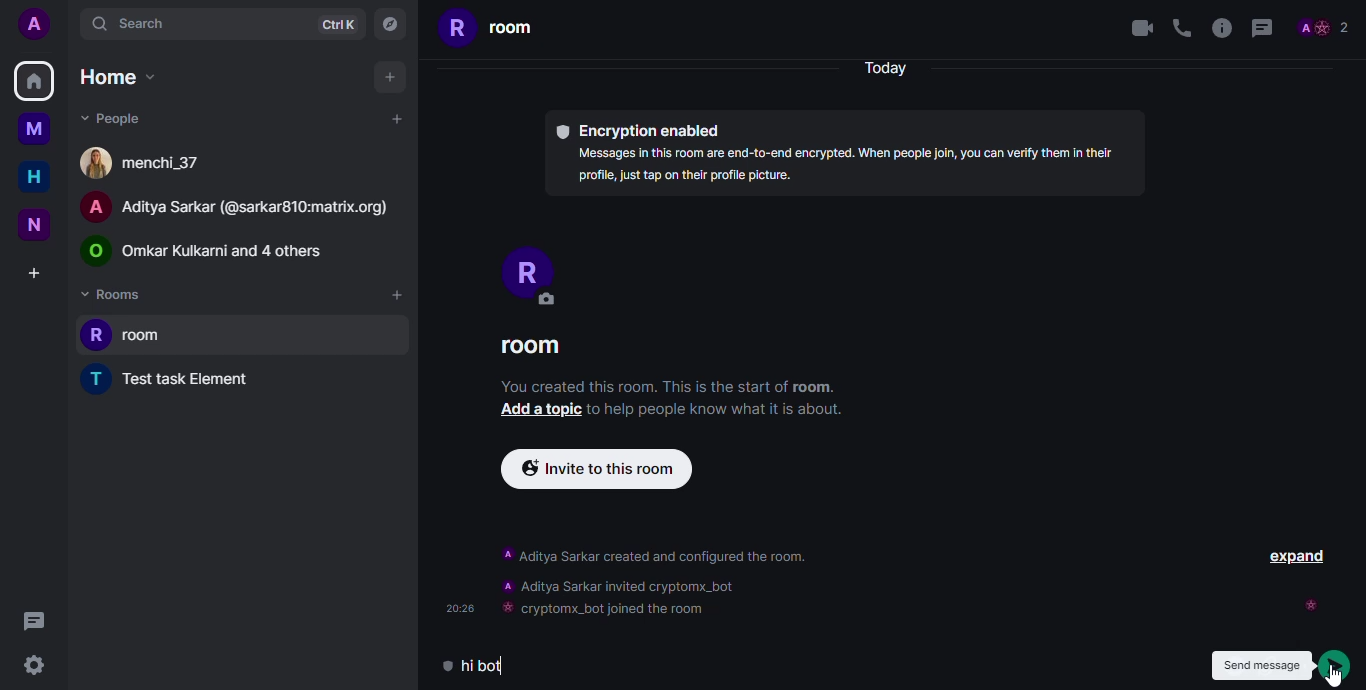 This screenshot has width=1366, height=690. What do you see at coordinates (1225, 28) in the screenshot?
I see `info` at bounding box center [1225, 28].